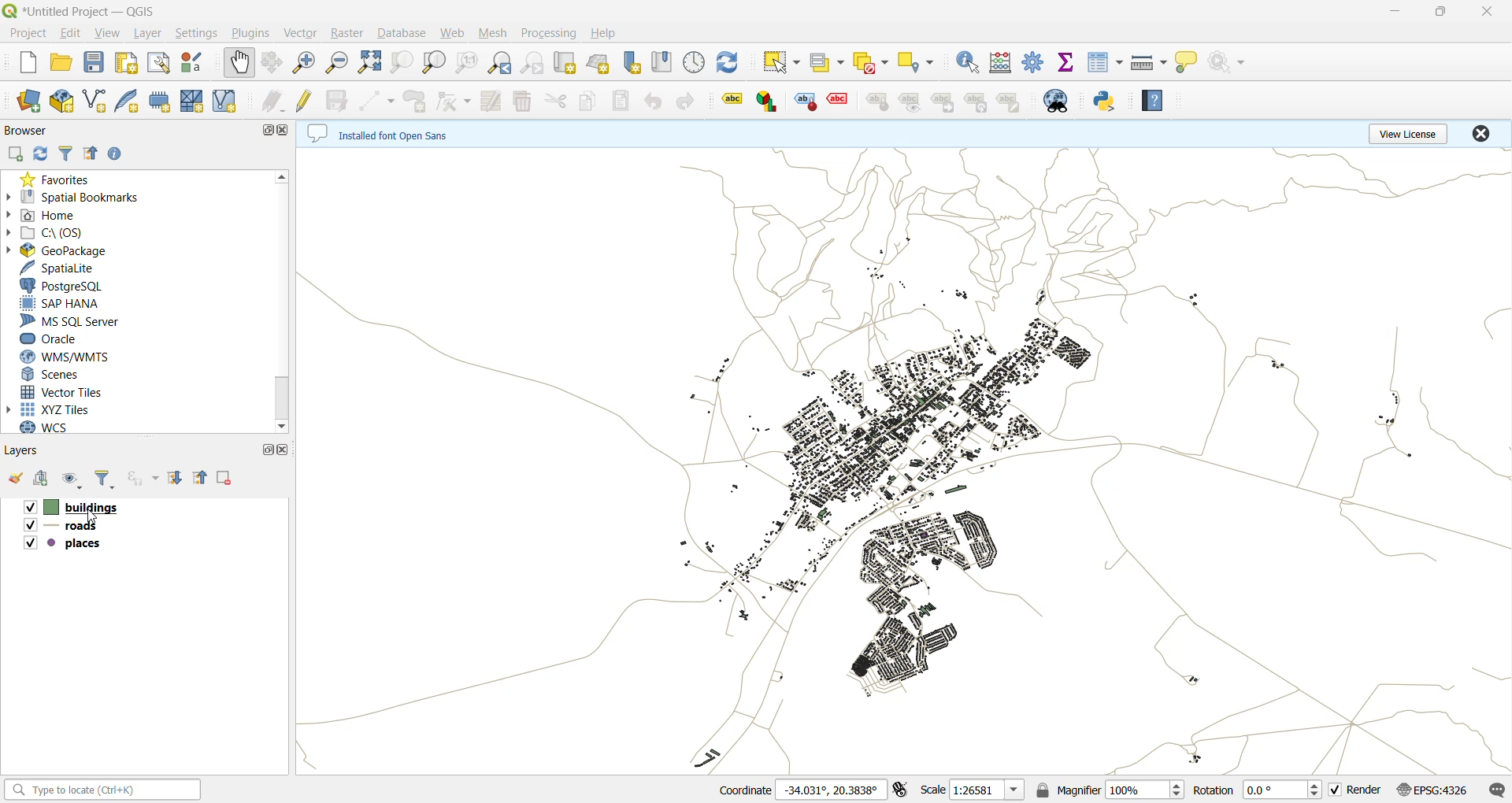  Describe the element at coordinates (69, 153) in the screenshot. I see `filter` at that location.